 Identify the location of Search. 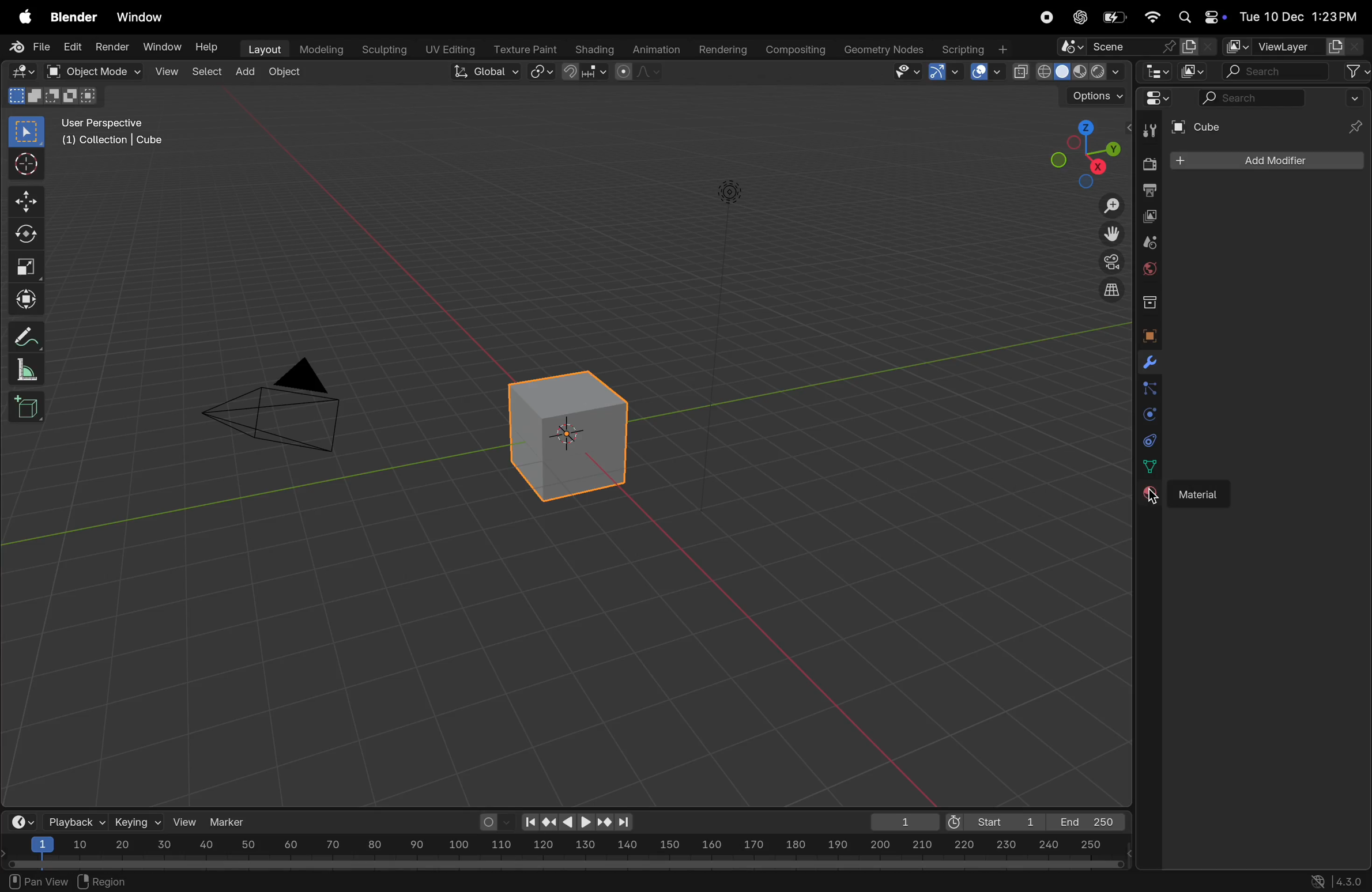
(1250, 97).